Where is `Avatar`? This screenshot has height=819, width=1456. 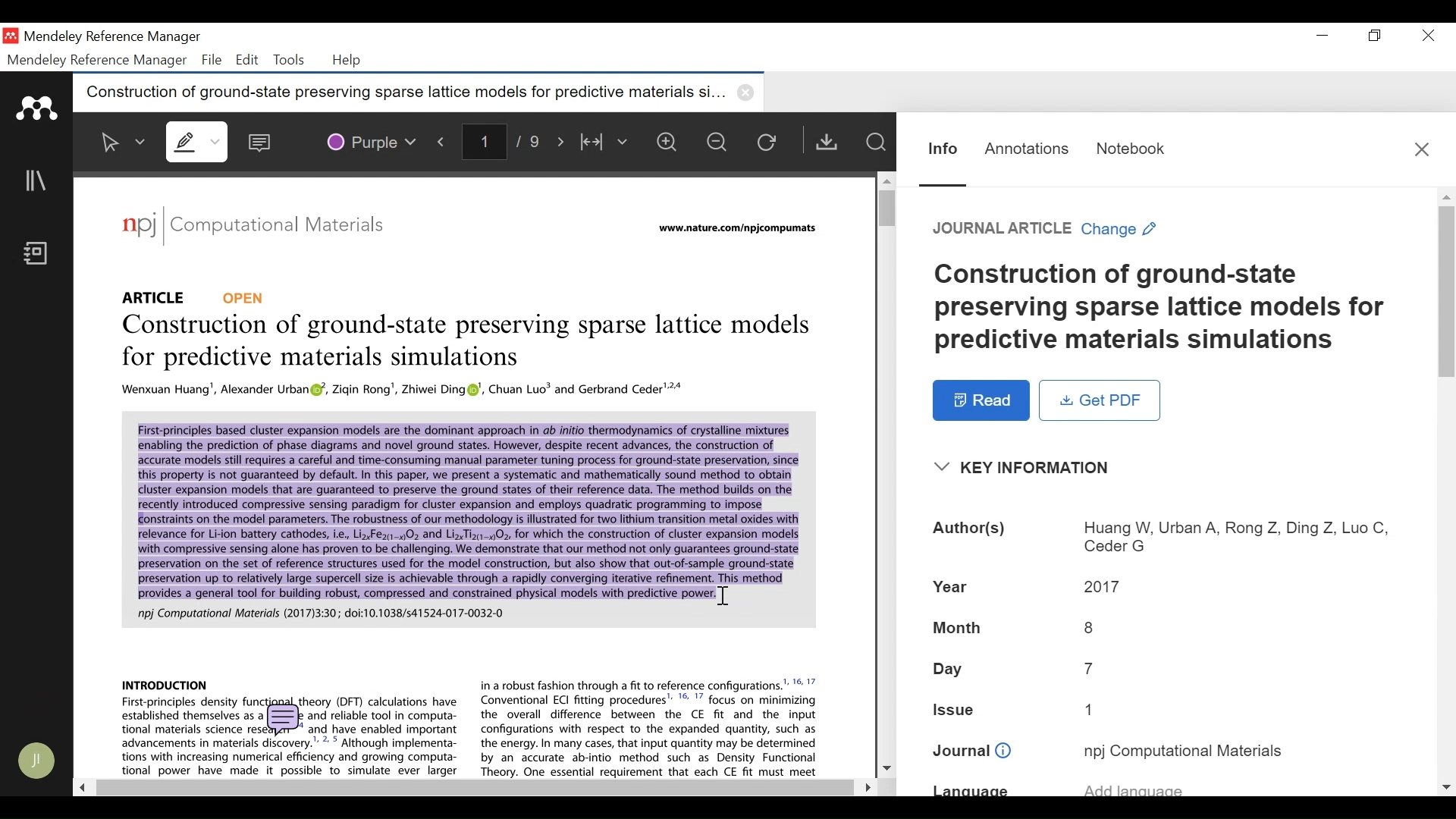
Avatar is located at coordinates (38, 761).